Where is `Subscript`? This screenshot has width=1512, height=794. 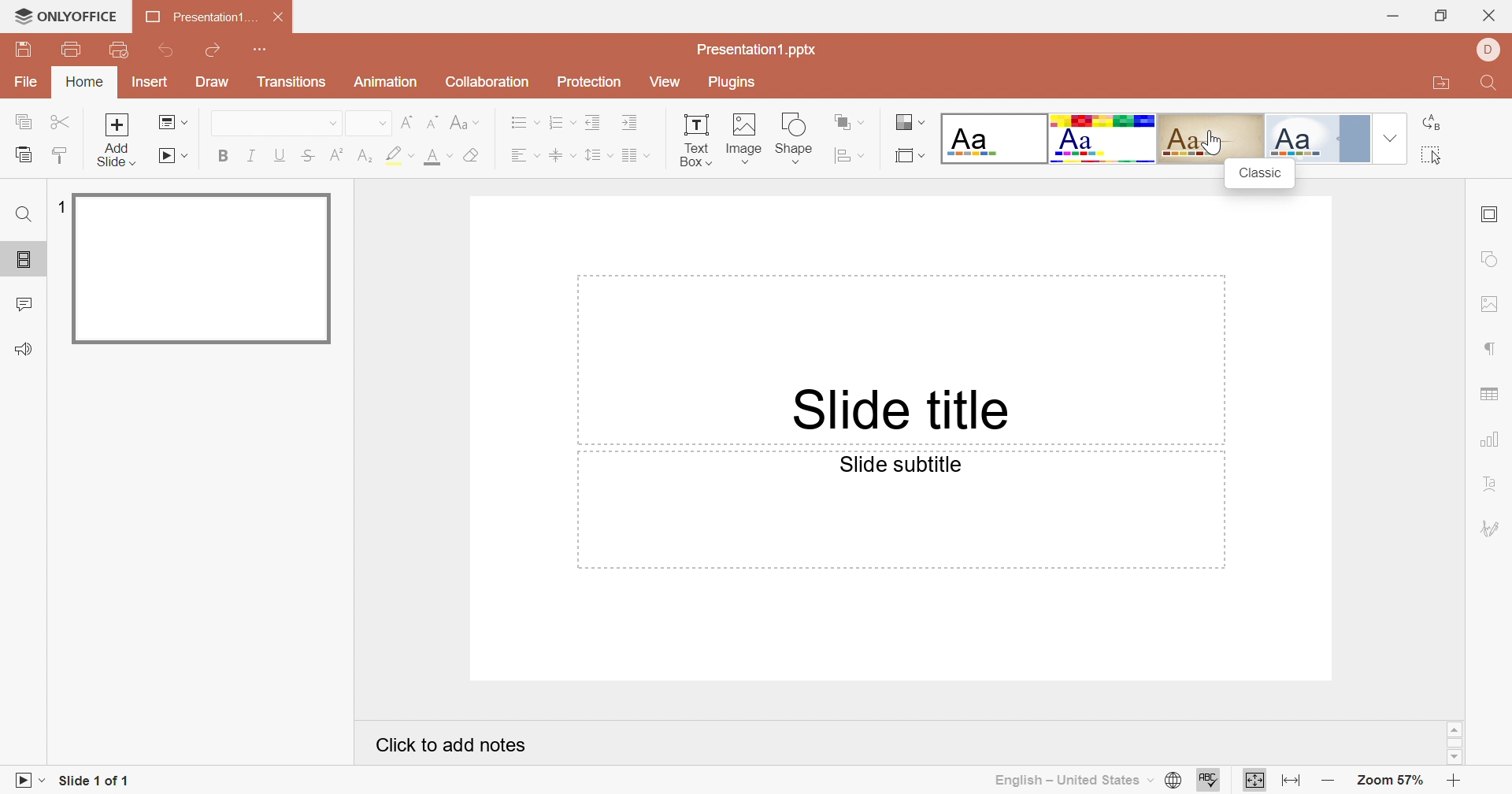
Subscript is located at coordinates (363, 155).